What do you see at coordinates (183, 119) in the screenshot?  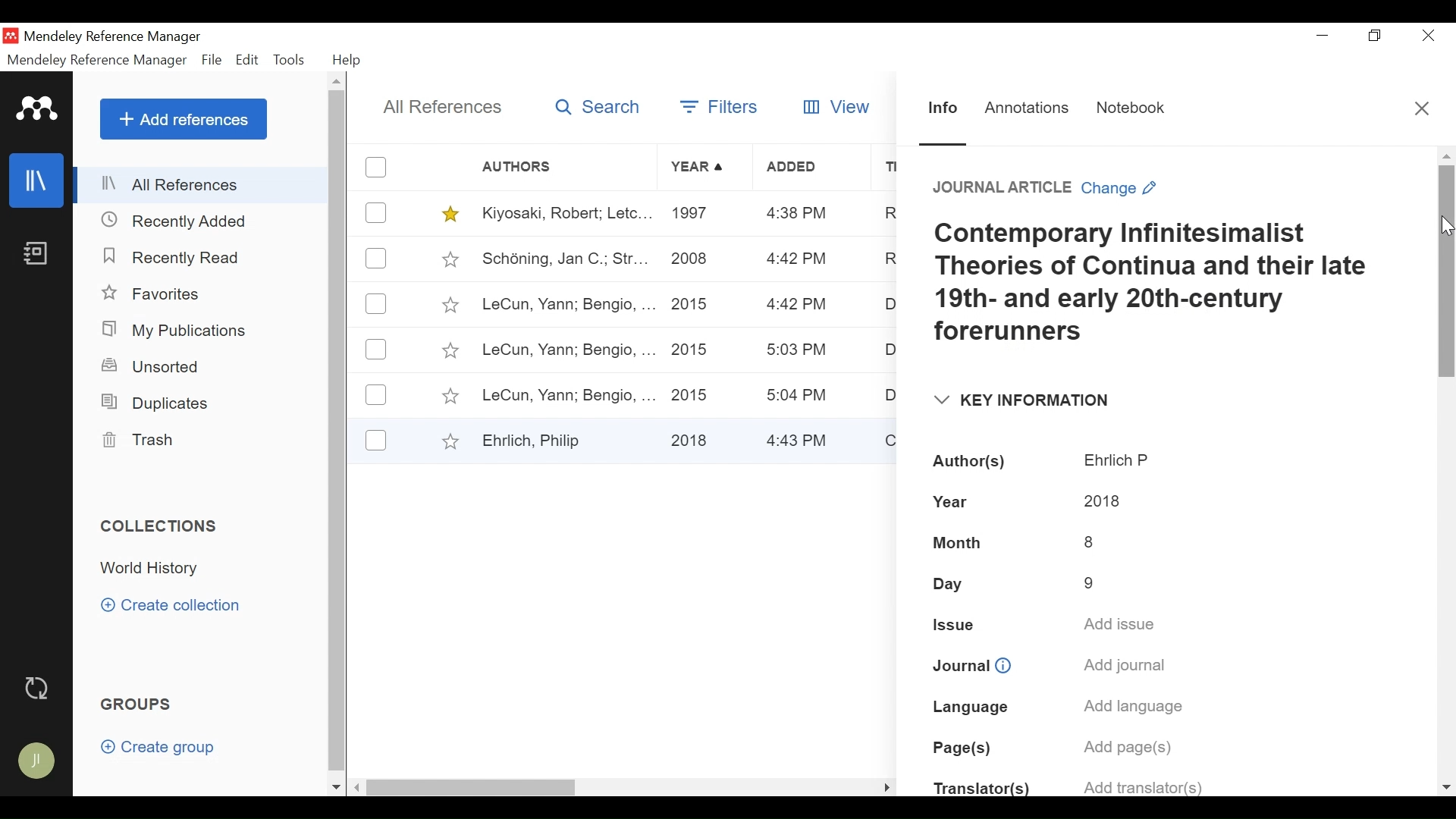 I see `Add References` at bounding box center [183, 119].